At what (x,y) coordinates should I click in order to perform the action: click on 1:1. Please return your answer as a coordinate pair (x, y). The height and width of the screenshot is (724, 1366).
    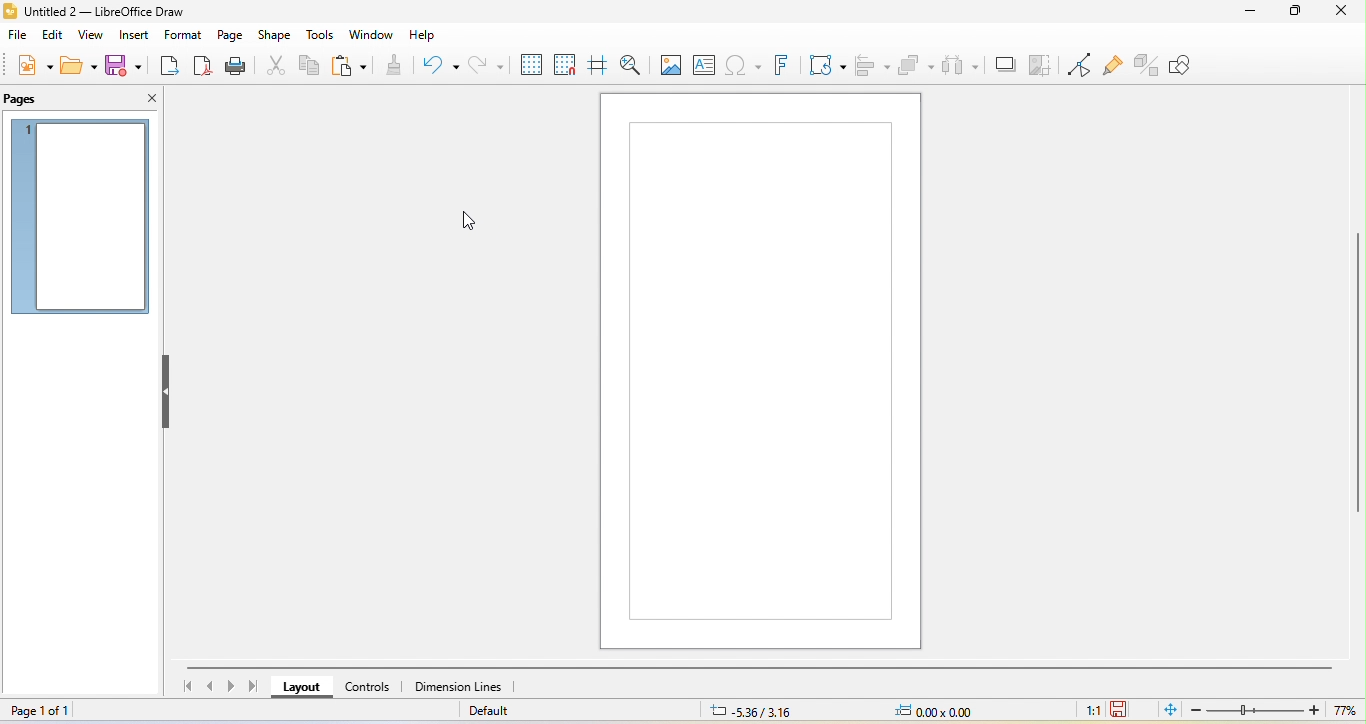
    Looking at the image, I should click on (1089, 709).